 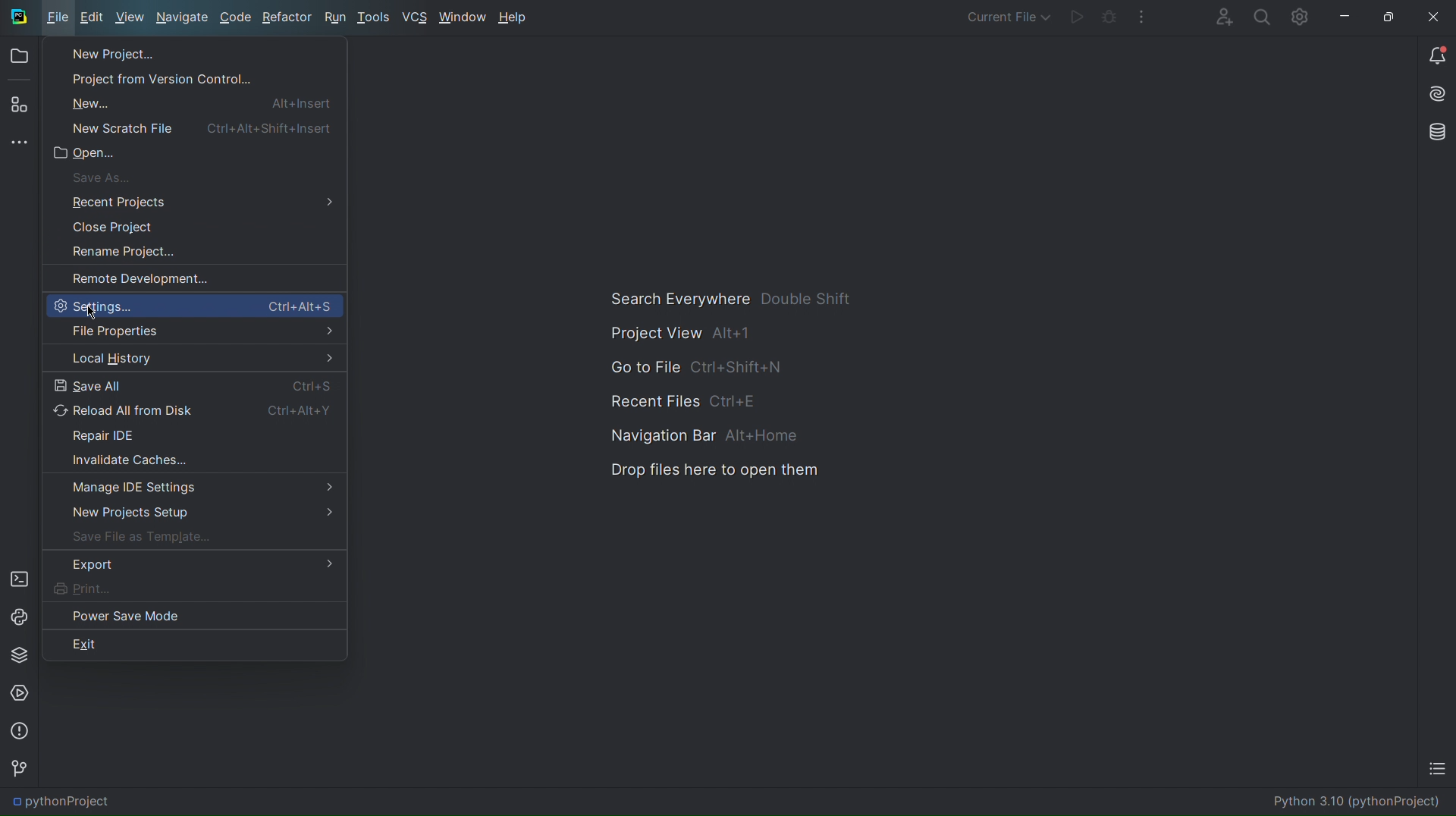 I want to click on New, so click(x=194, y=102).